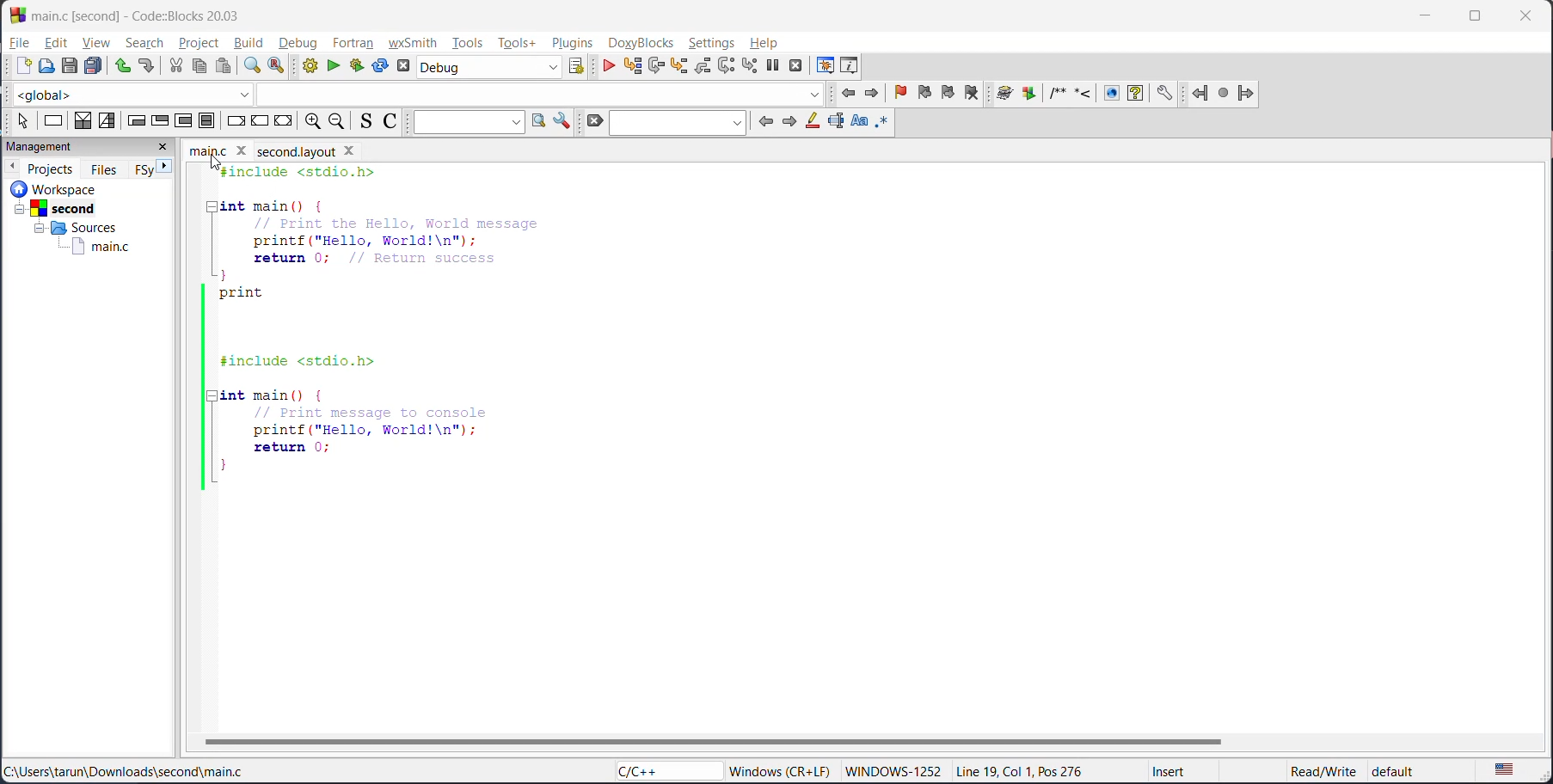  Describe the element at coordinates (71, 227) in the screenshot. I see `Sources` at that location.